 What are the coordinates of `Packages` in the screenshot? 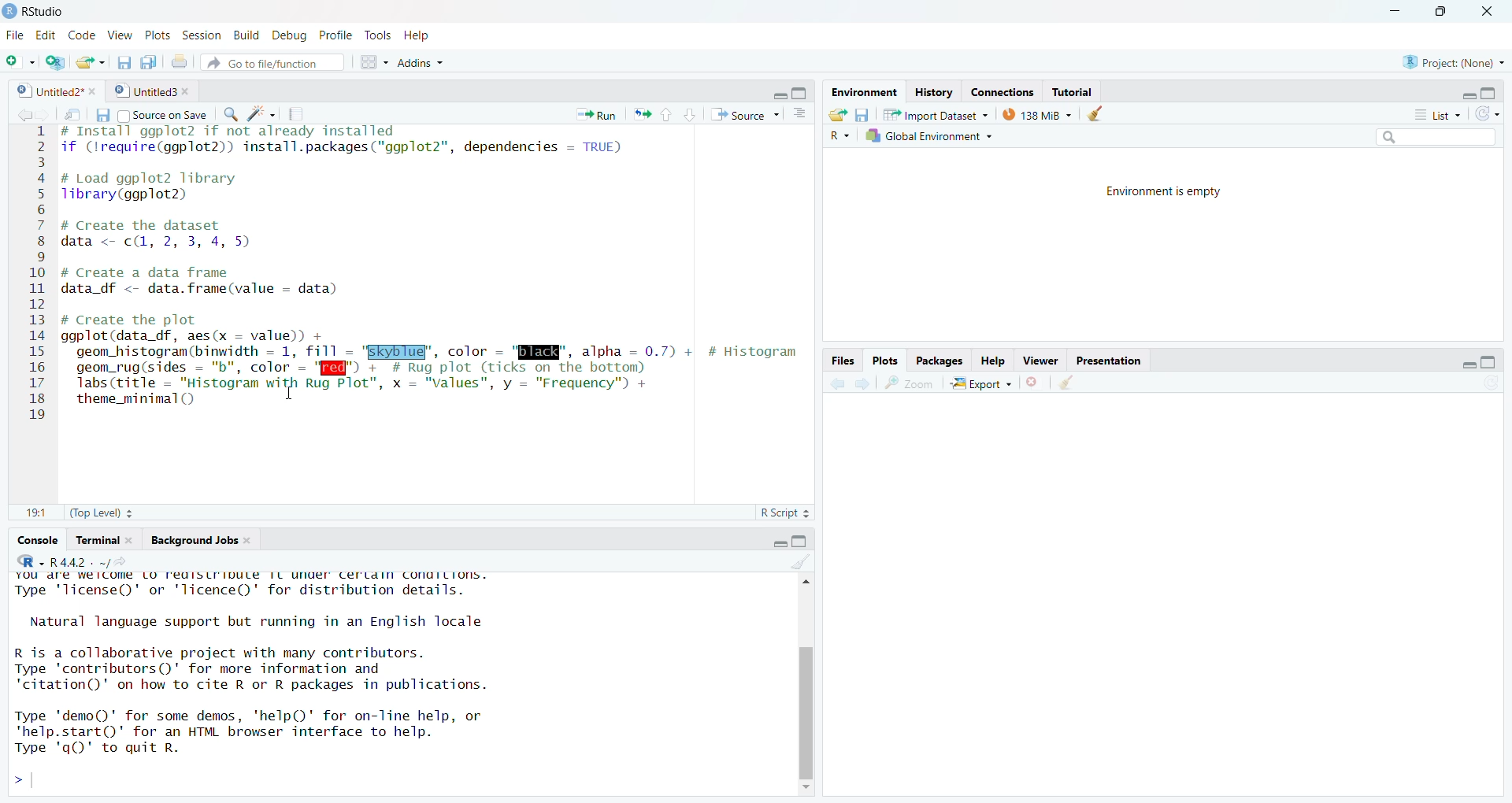 It's located at (934, 360).